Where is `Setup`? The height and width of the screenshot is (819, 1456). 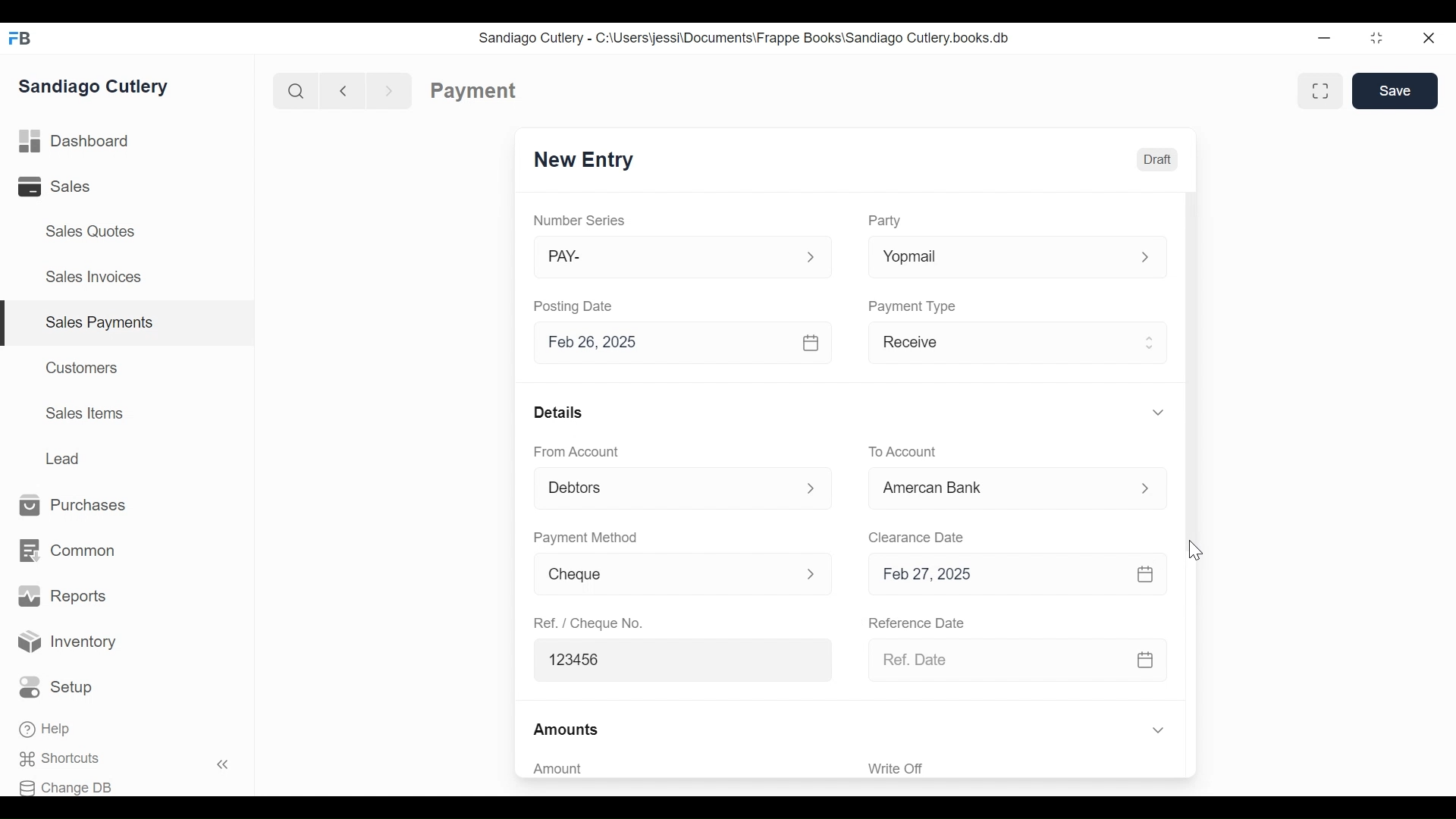
Setup is located at coordinates (60, 688).